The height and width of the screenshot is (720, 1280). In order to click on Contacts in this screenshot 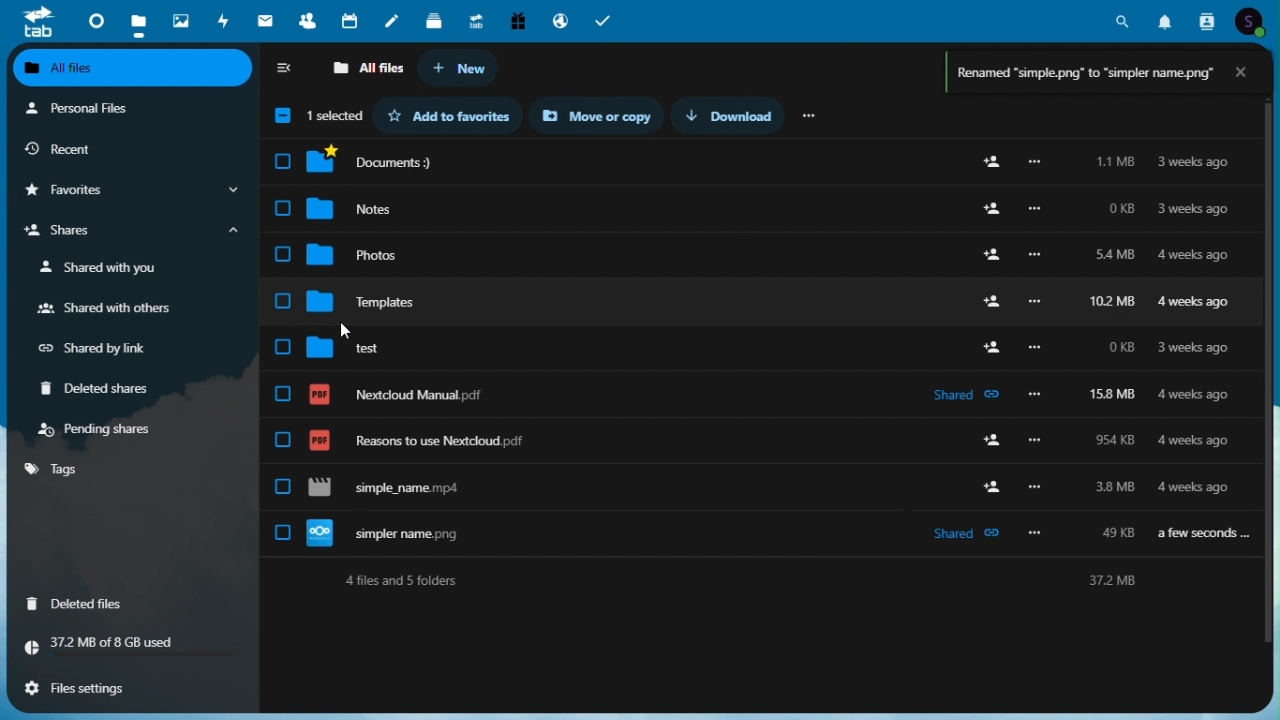, I will do `click(1208, 19)`.